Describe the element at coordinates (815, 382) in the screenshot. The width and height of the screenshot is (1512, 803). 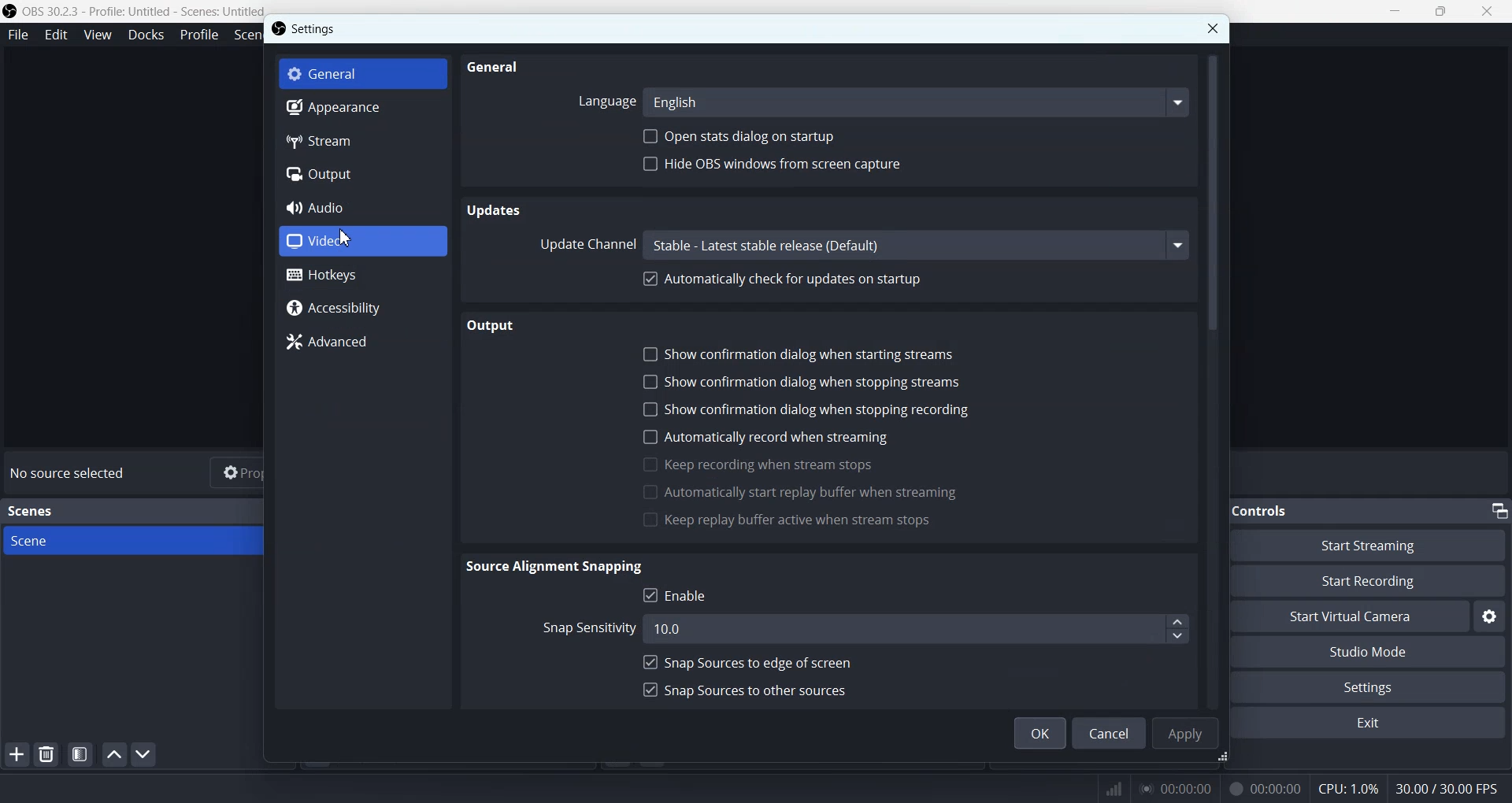
I see `Show confirmation dialog when stopping streams` at that location.